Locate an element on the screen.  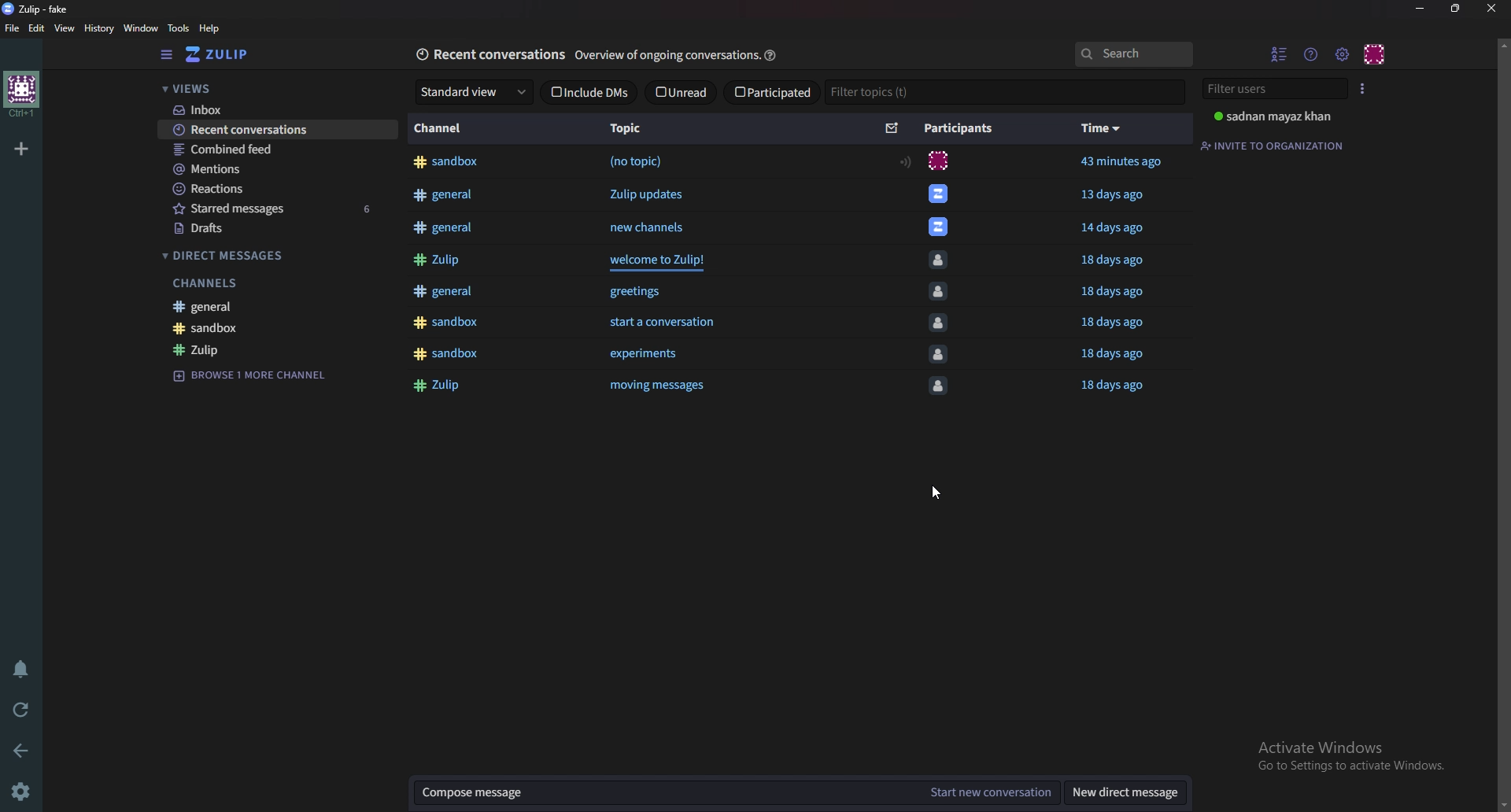
Views is located at coordinates (274, 87).